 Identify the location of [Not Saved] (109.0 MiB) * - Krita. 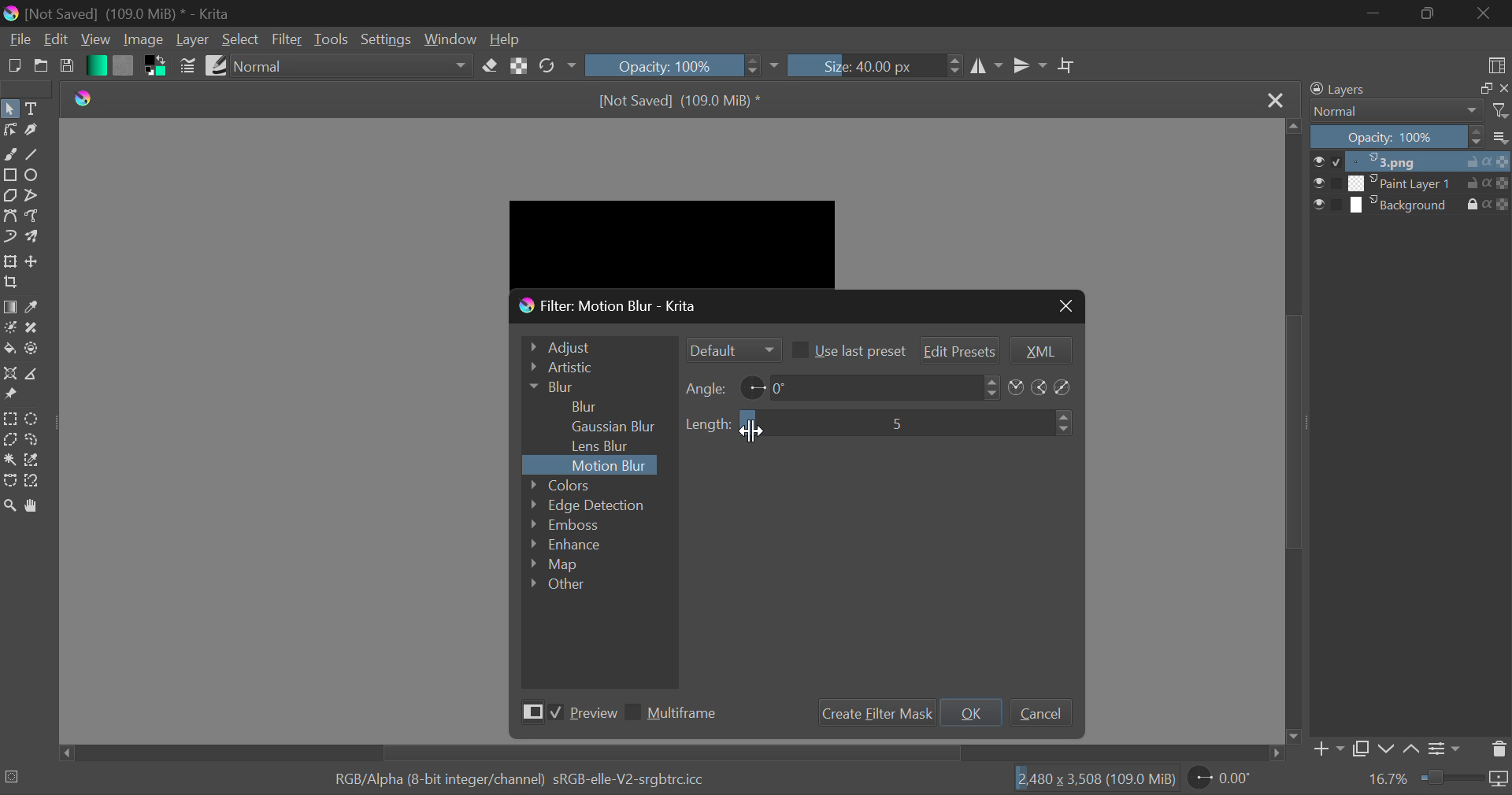
(134, 13).